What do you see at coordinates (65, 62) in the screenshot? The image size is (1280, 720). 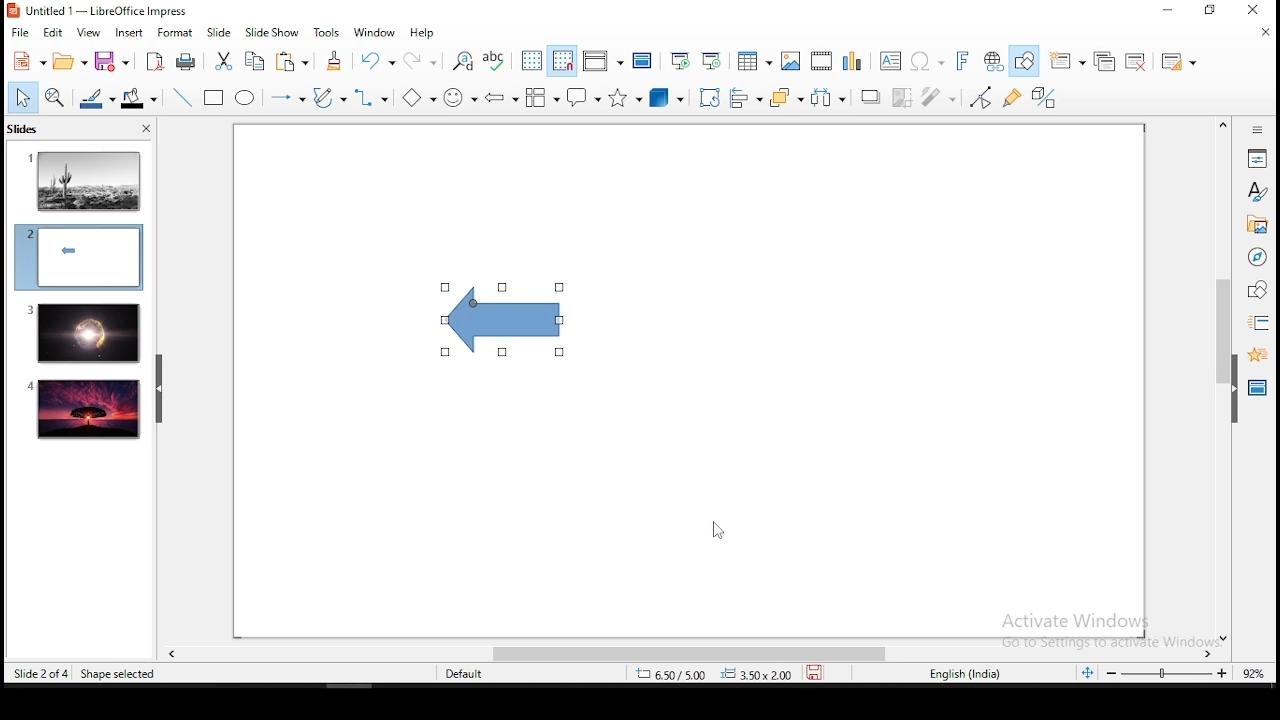 I see `open` at bounding box center [65, 62].